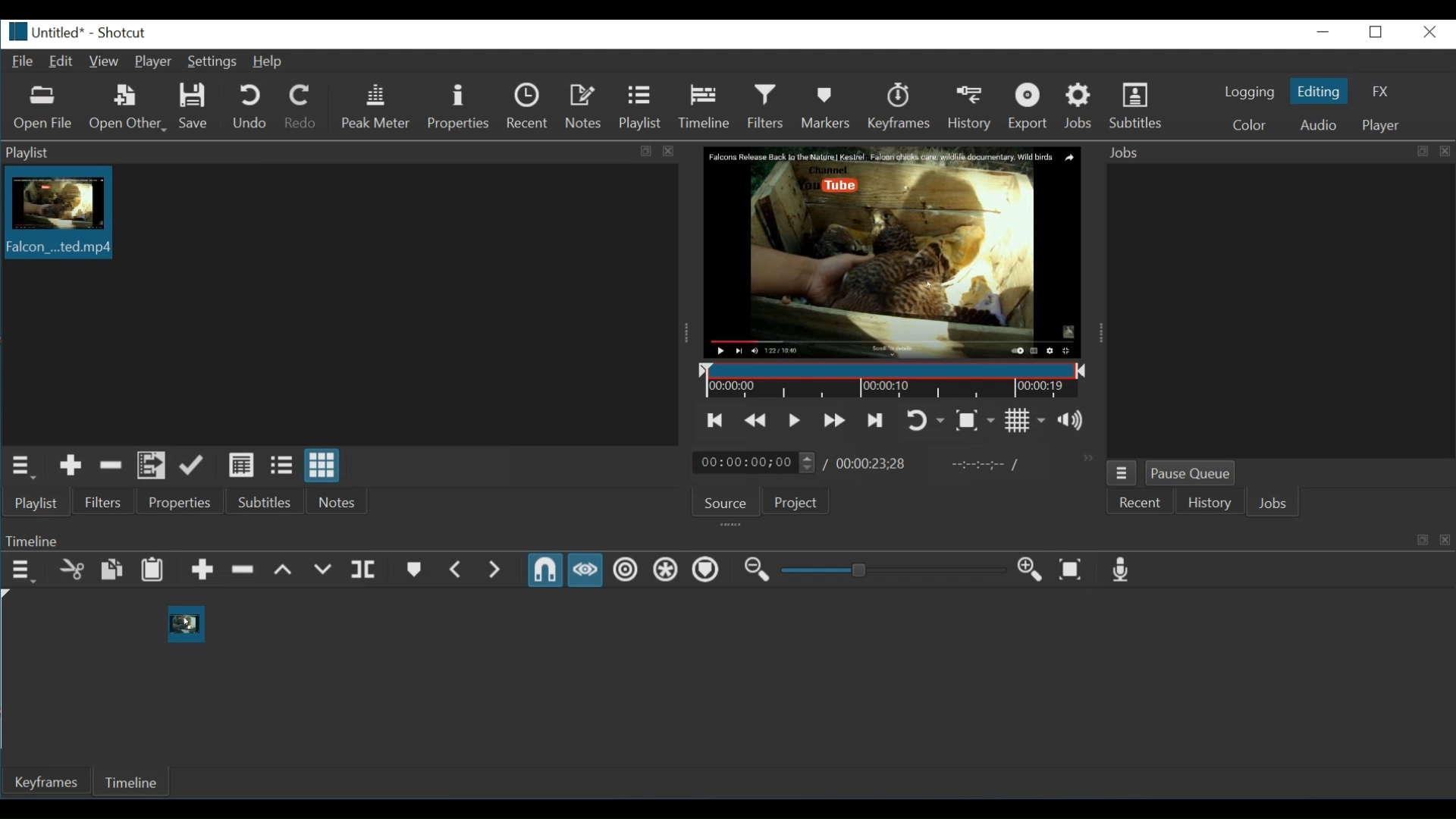 Image resolution: width=1456 pixels, height=819 pixels. What do you see at coordinates (835, 419) in the screenshot?
I see `Play quickly forward` at bounding box center [835, 419].